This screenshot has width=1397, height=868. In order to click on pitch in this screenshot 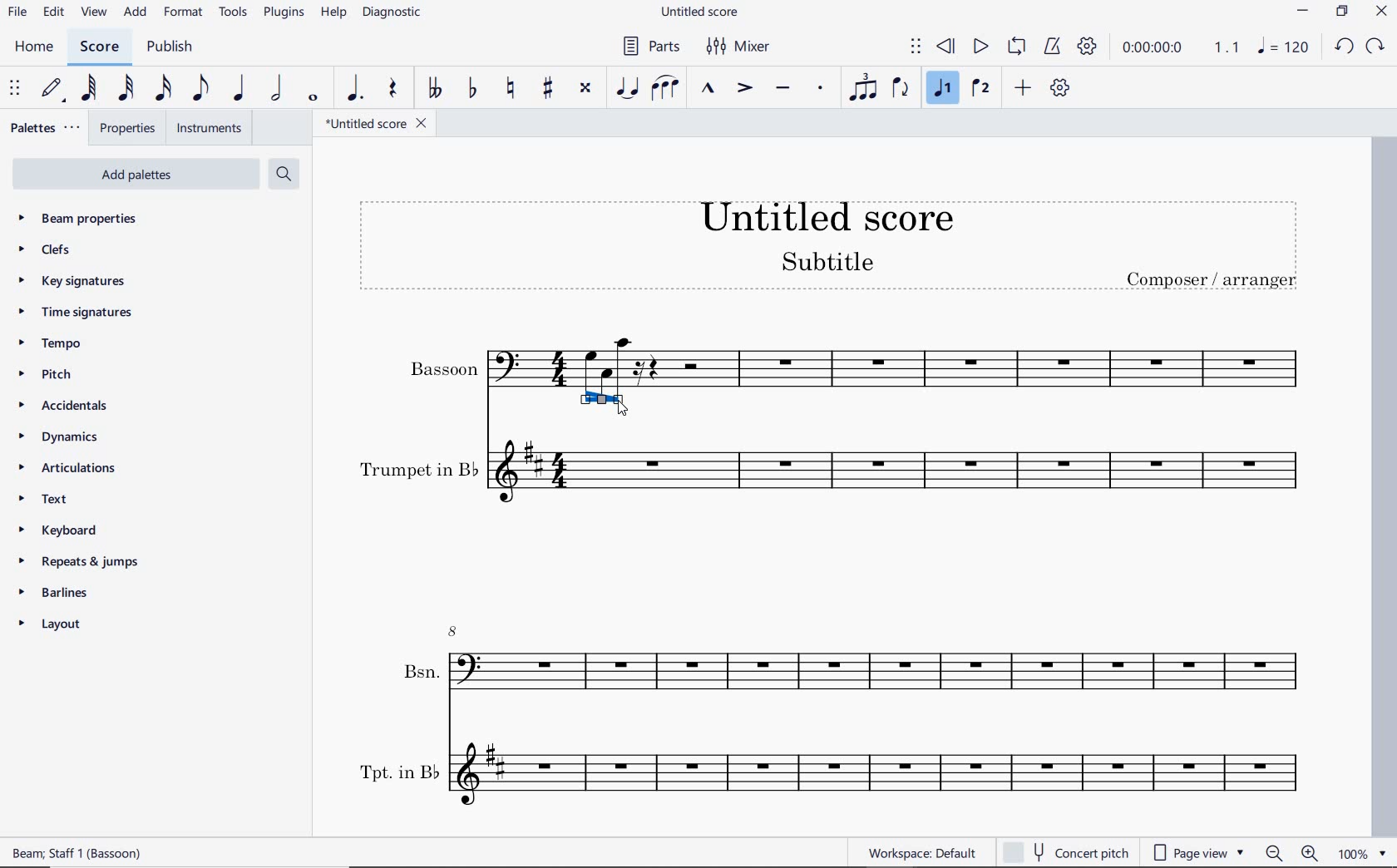, I will do `click(48, 374)`.